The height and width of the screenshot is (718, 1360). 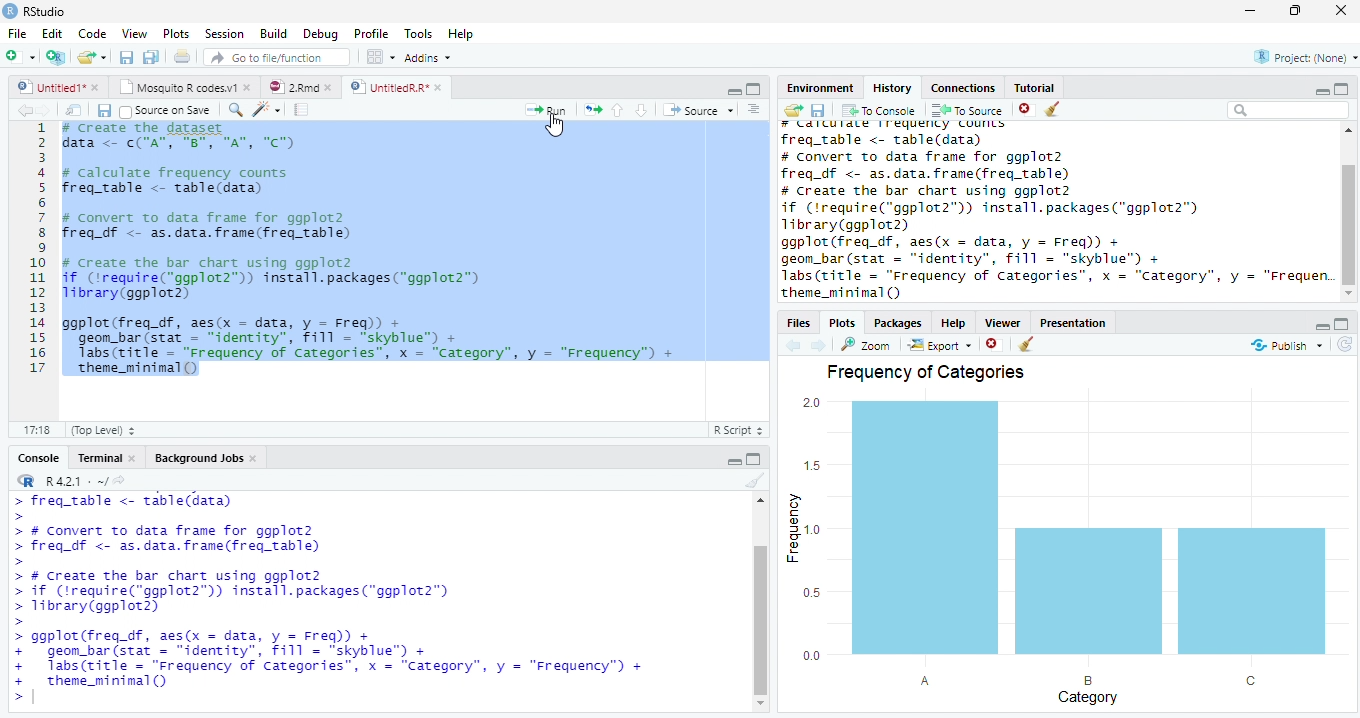 What do you see at coordinates (104, 110) in the screenshot?
I see `Save` at bounding box center [104, 110].